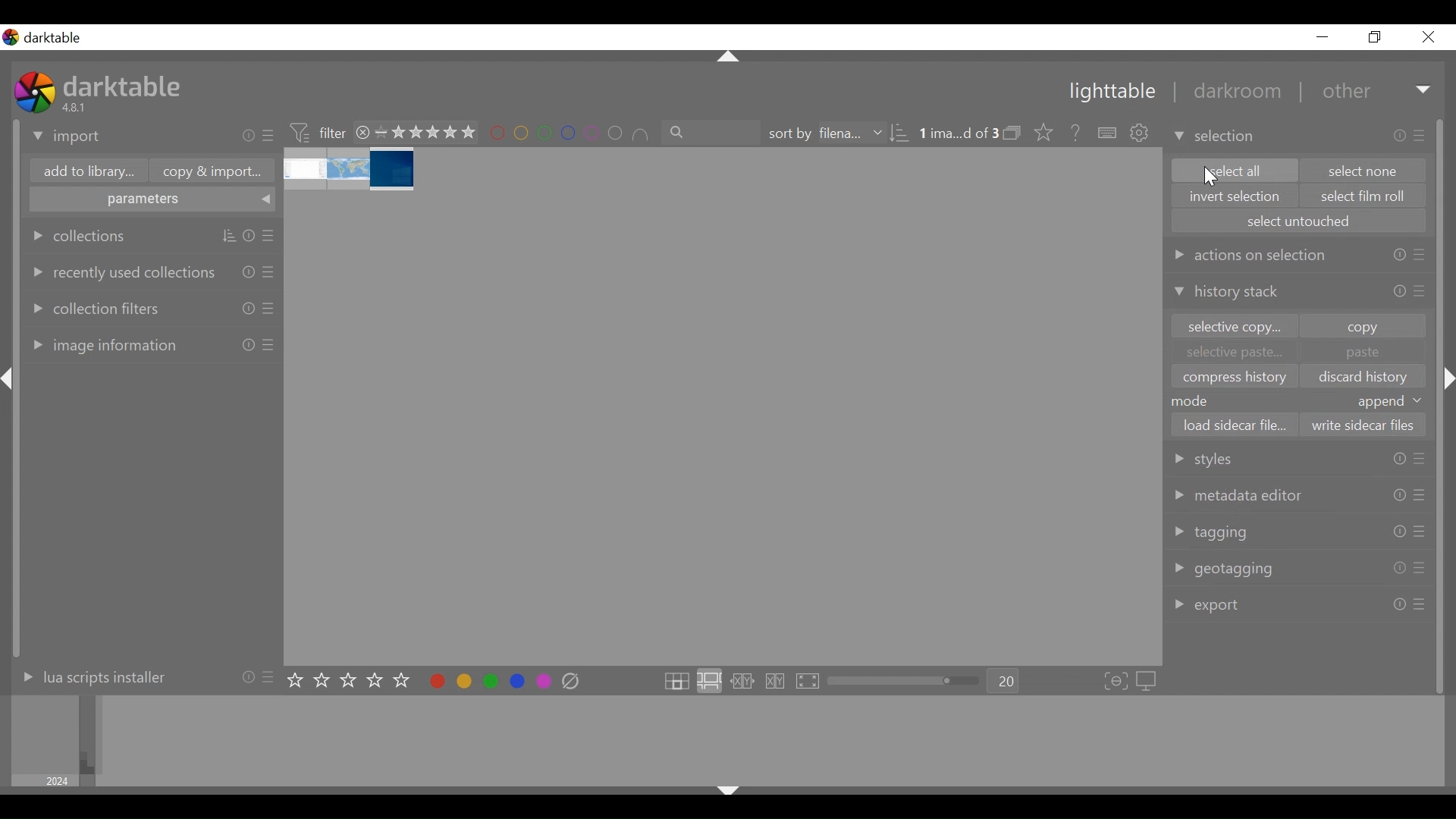 The image size is (1456, 819). I want to click on style, so click(1225, 458).